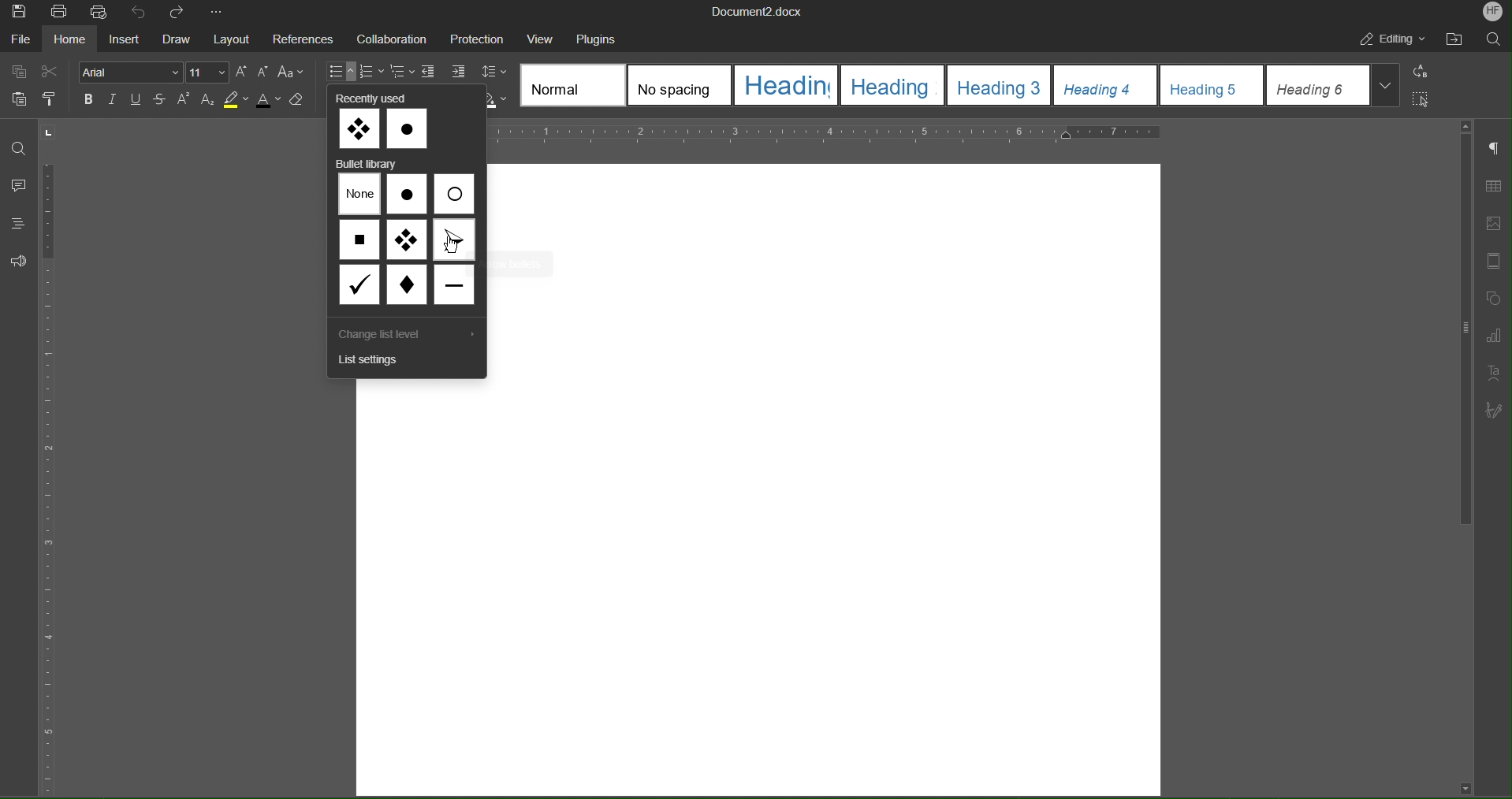 The width and height of the screenshot is (1512, 799). Describe the element at coordinates (963, 86) in the screenshot. I see `Heading Style` at that location.